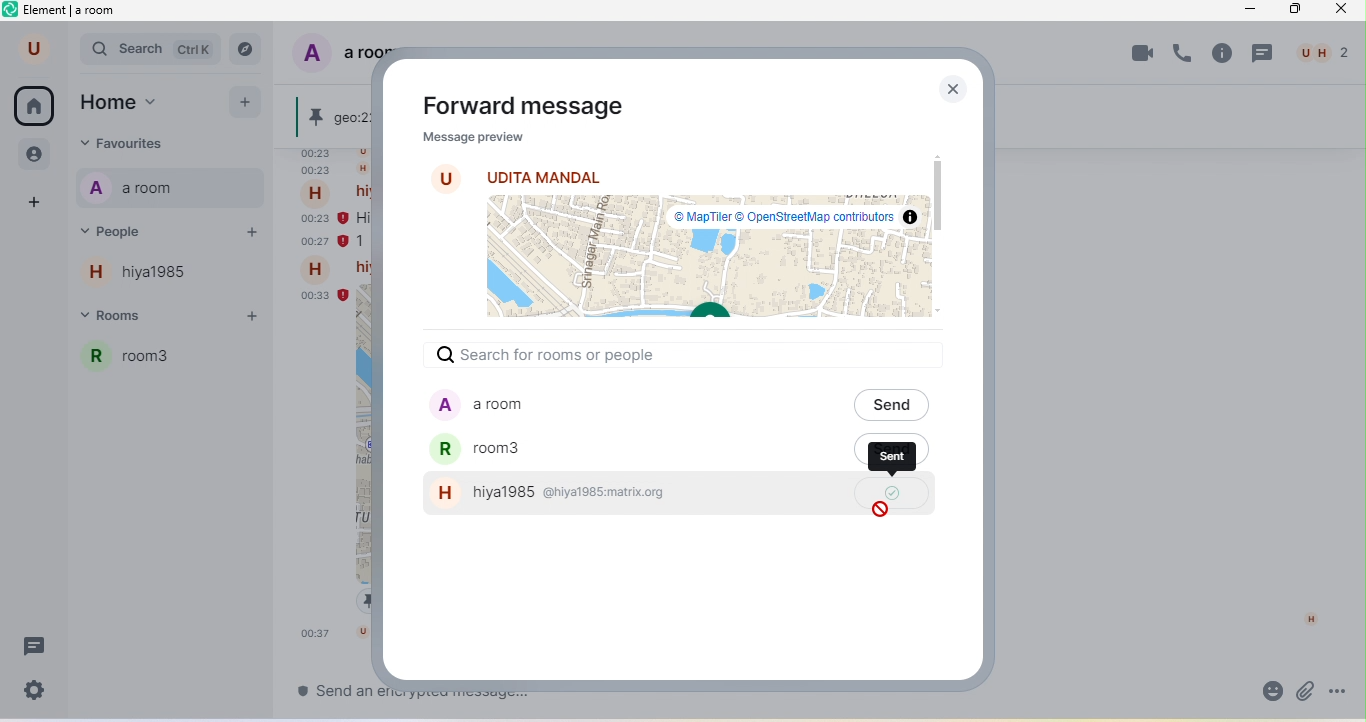 Image resolution: width=1366 pixels, height=722 pixels. What do you see at coordinates (251, 48) in the screenshot?
I see `navigator` at bounding box center [251, 48].